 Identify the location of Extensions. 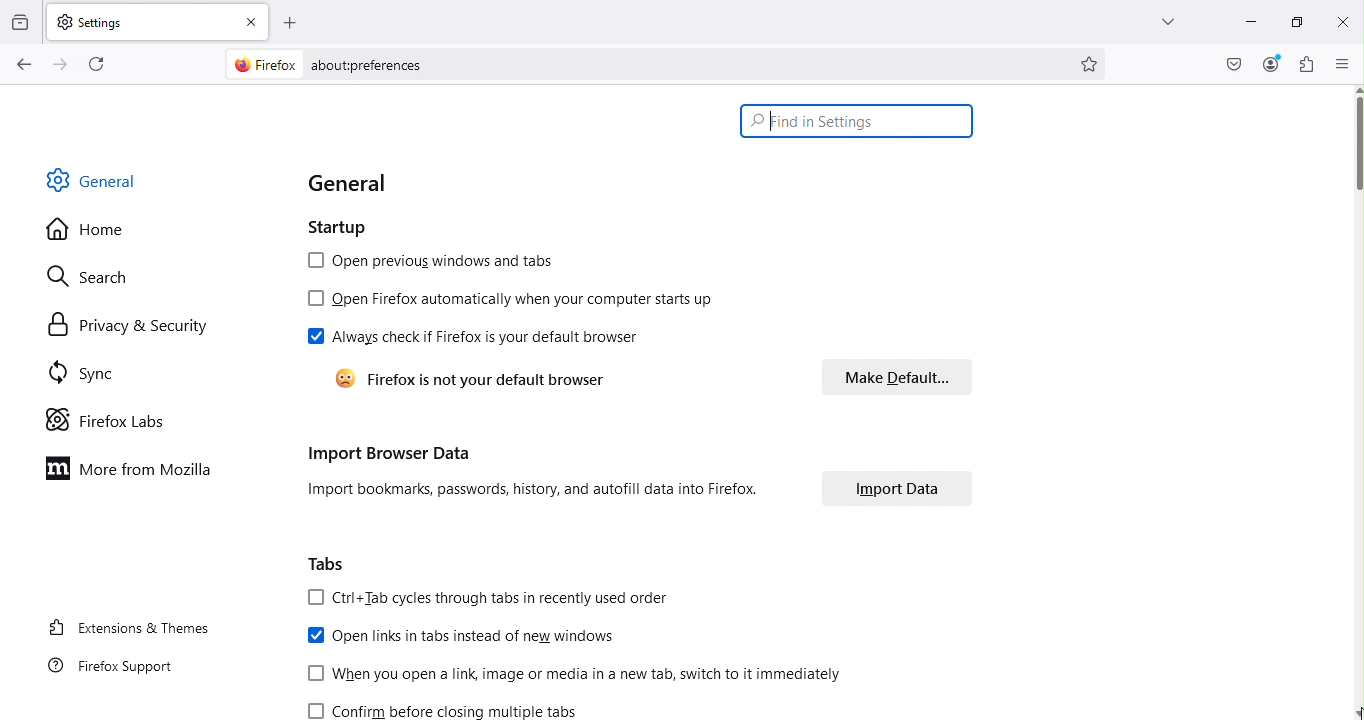
(1307, 64).